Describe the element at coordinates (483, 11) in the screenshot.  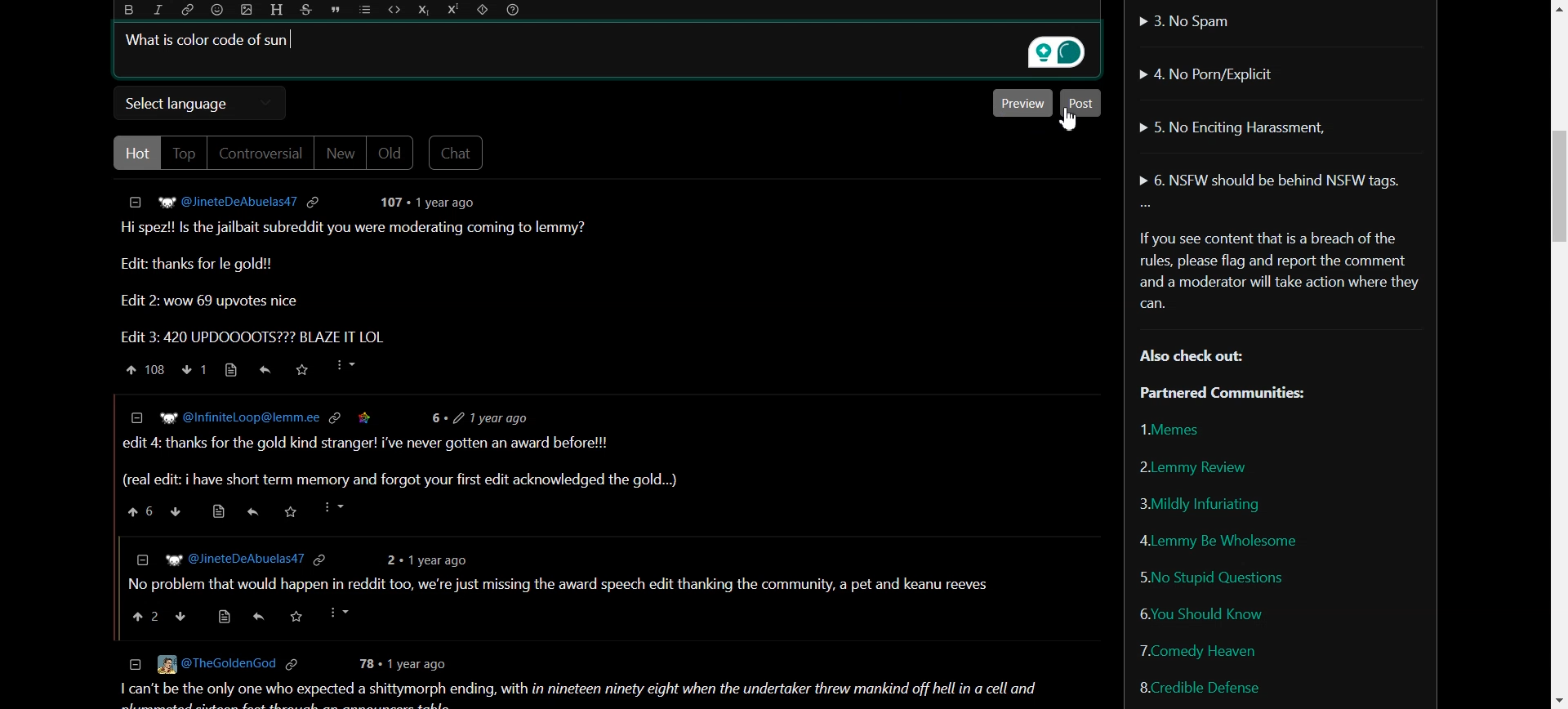
I see `Spoiler` at that location.